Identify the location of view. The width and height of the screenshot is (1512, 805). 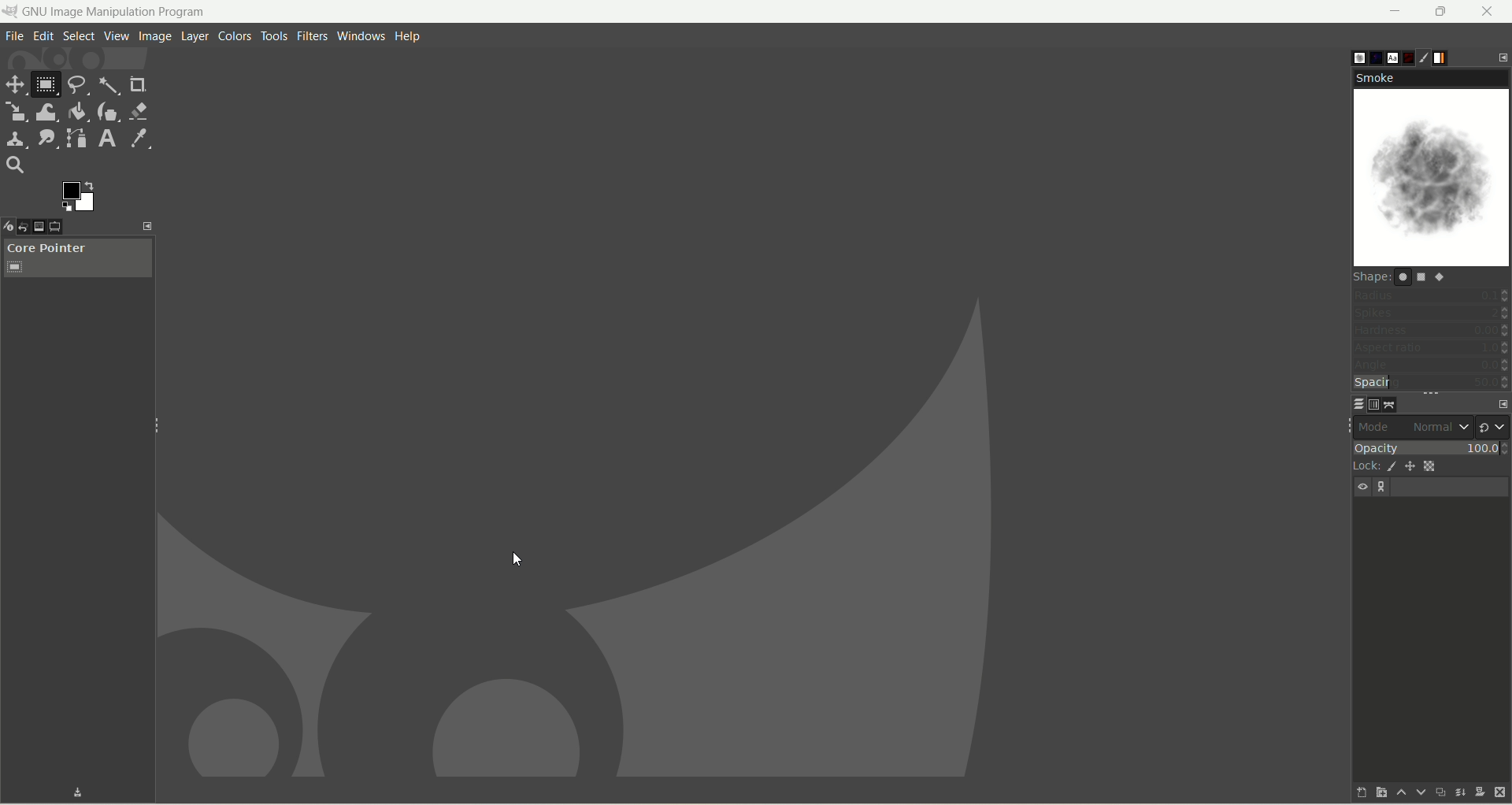
(116, 36).